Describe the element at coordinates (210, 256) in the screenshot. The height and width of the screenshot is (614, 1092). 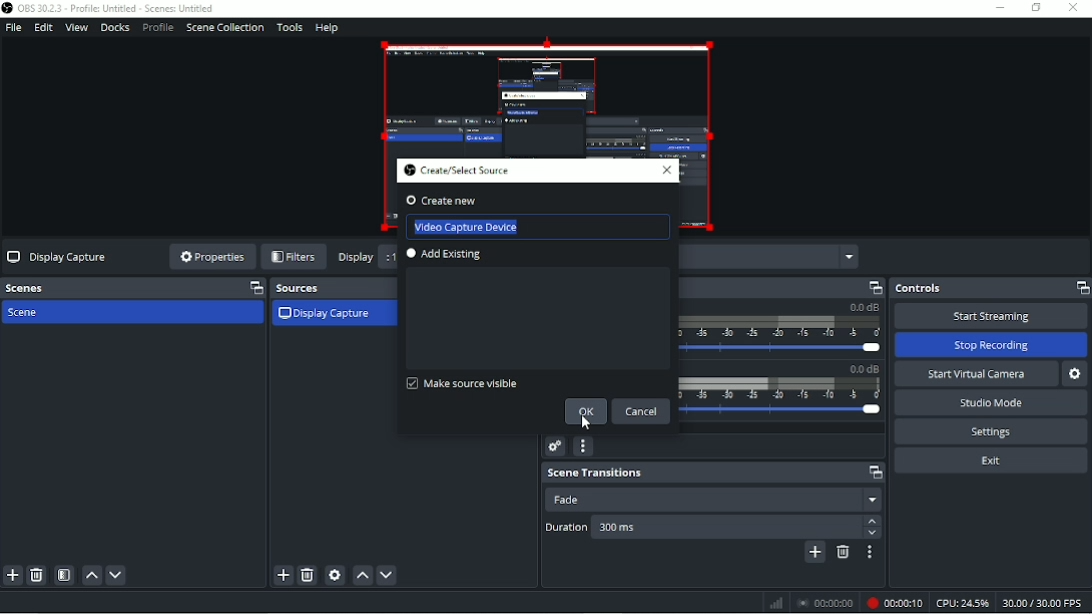
I see `Properties` at that location.